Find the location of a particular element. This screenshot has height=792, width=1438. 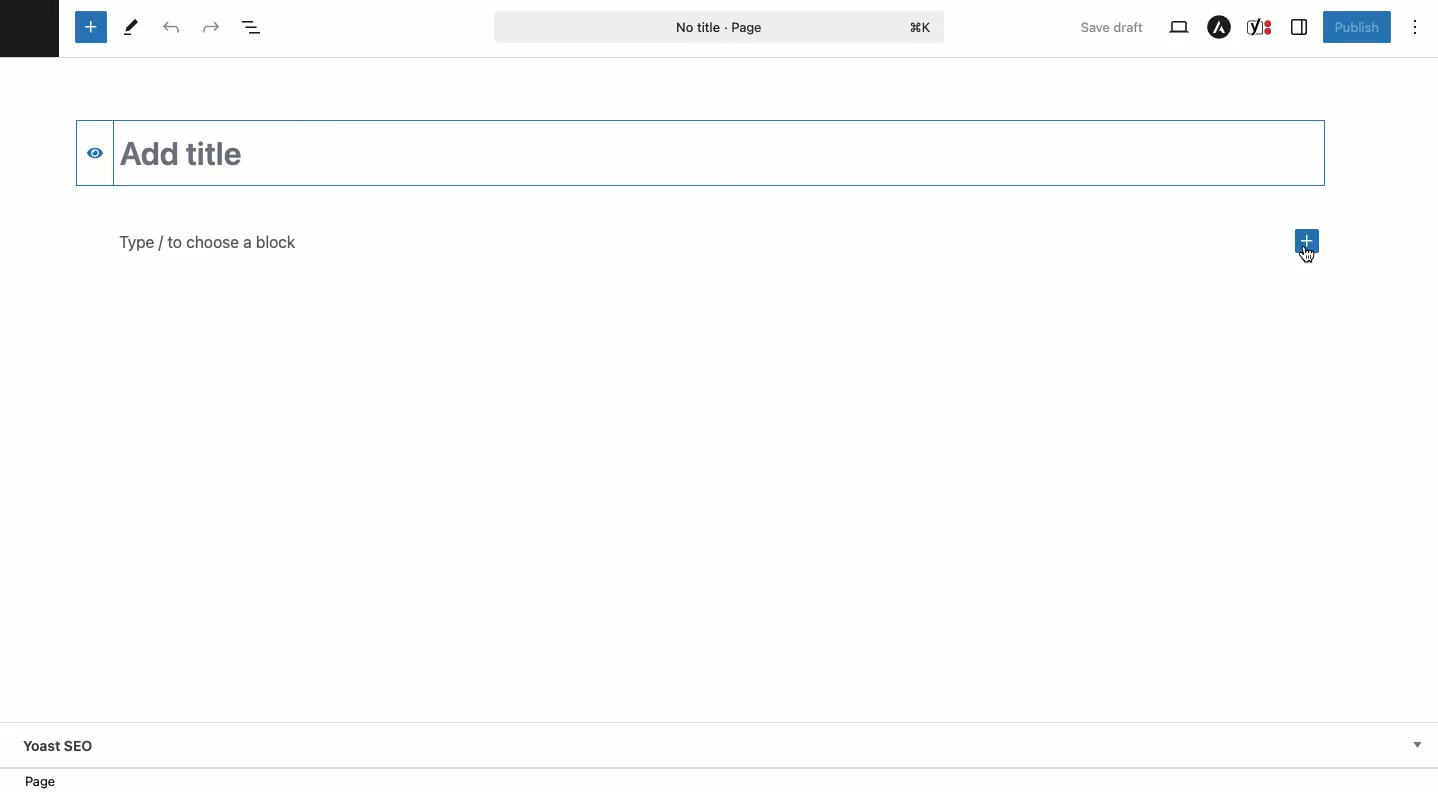

Sidebar is located at coordinates (1300, 27).